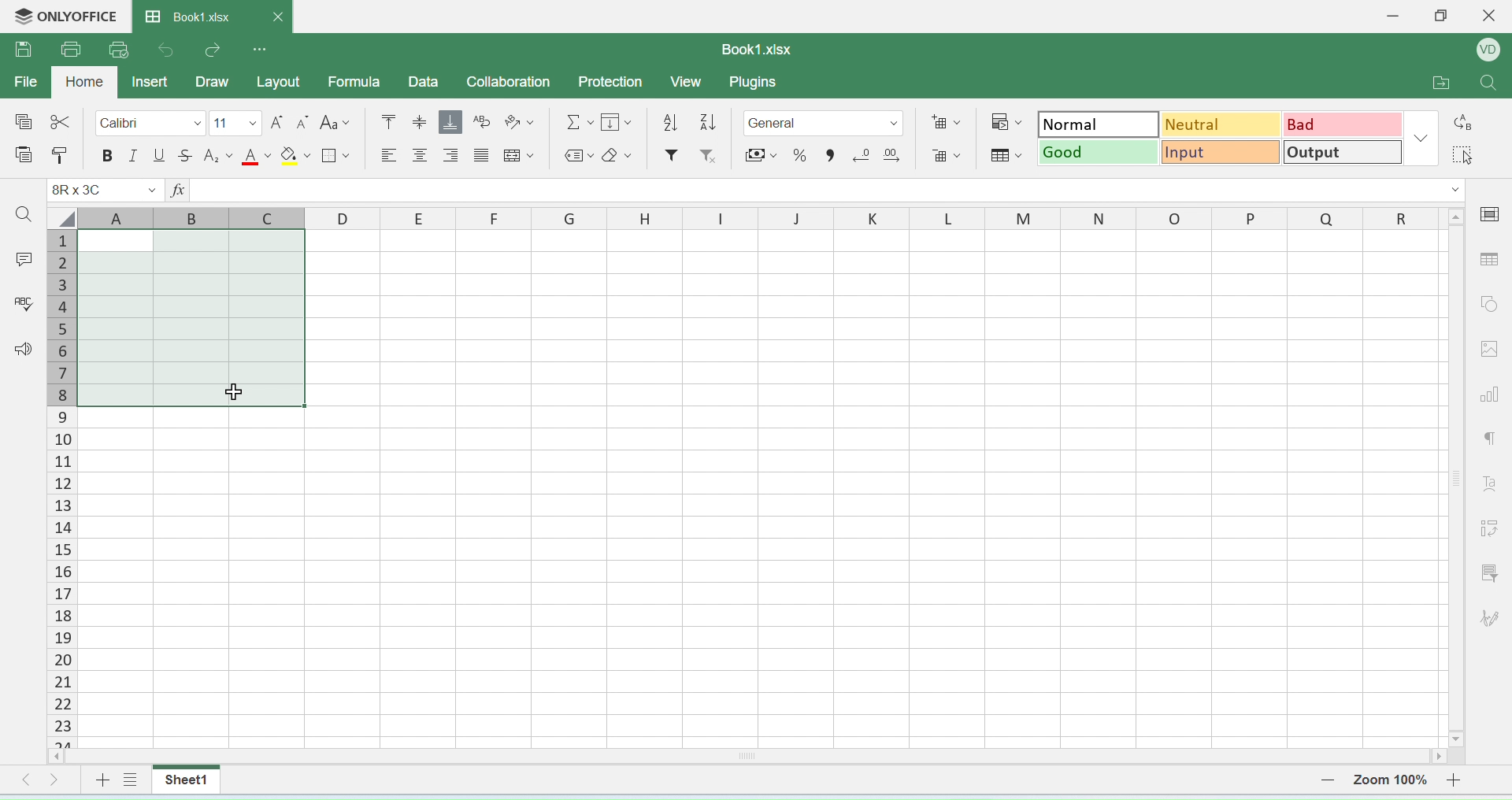 The width and height of the screenshot is (1512, 800). Describe the element at coordinates (1464, 155) in the screenshot. I see `select` at that location.